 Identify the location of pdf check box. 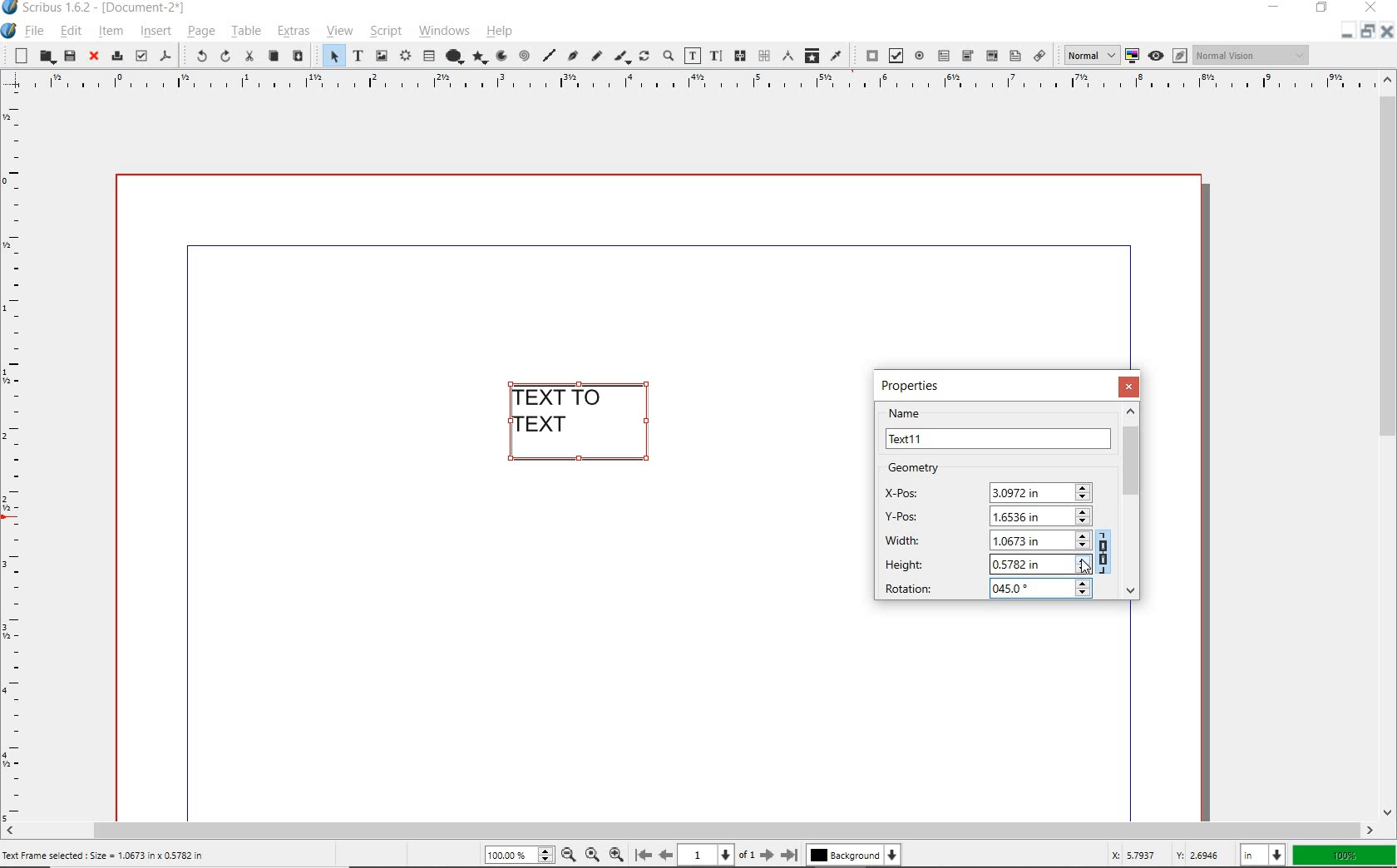
(896, 55).